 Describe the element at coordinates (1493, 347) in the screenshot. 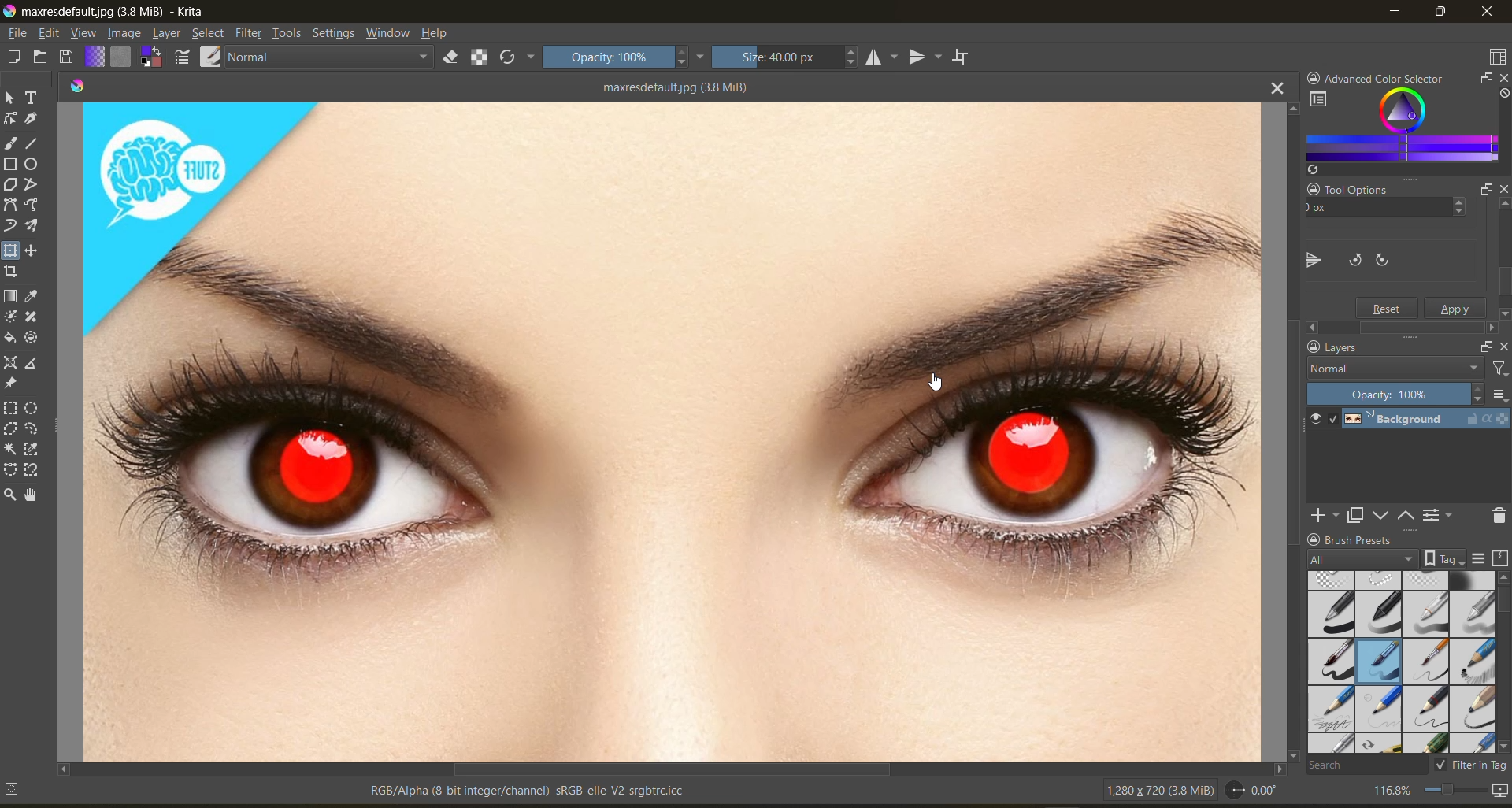

I see `float docker` at that location.